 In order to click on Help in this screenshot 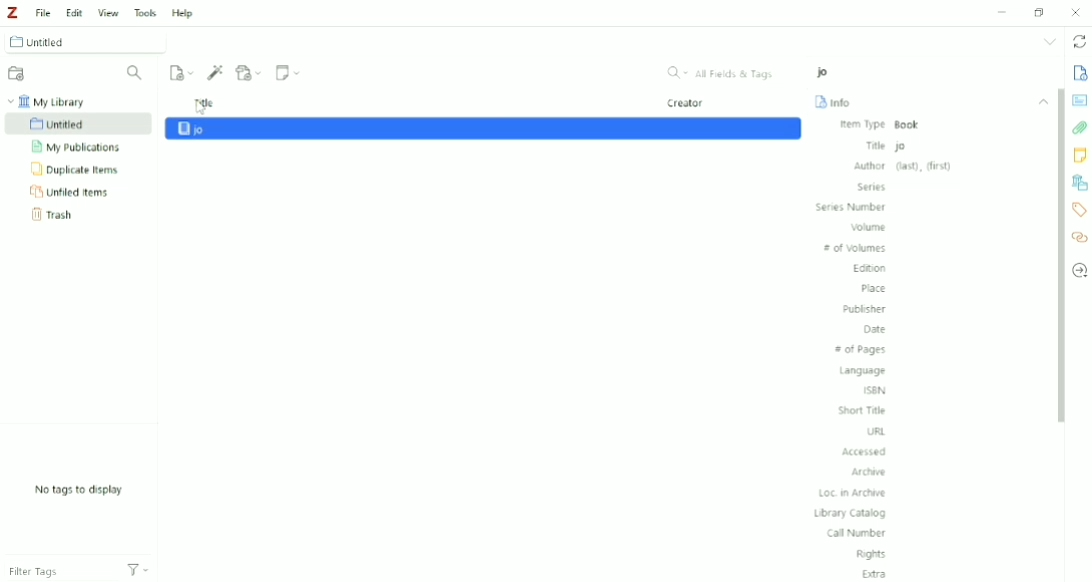, I will do `click(183, 13)`.